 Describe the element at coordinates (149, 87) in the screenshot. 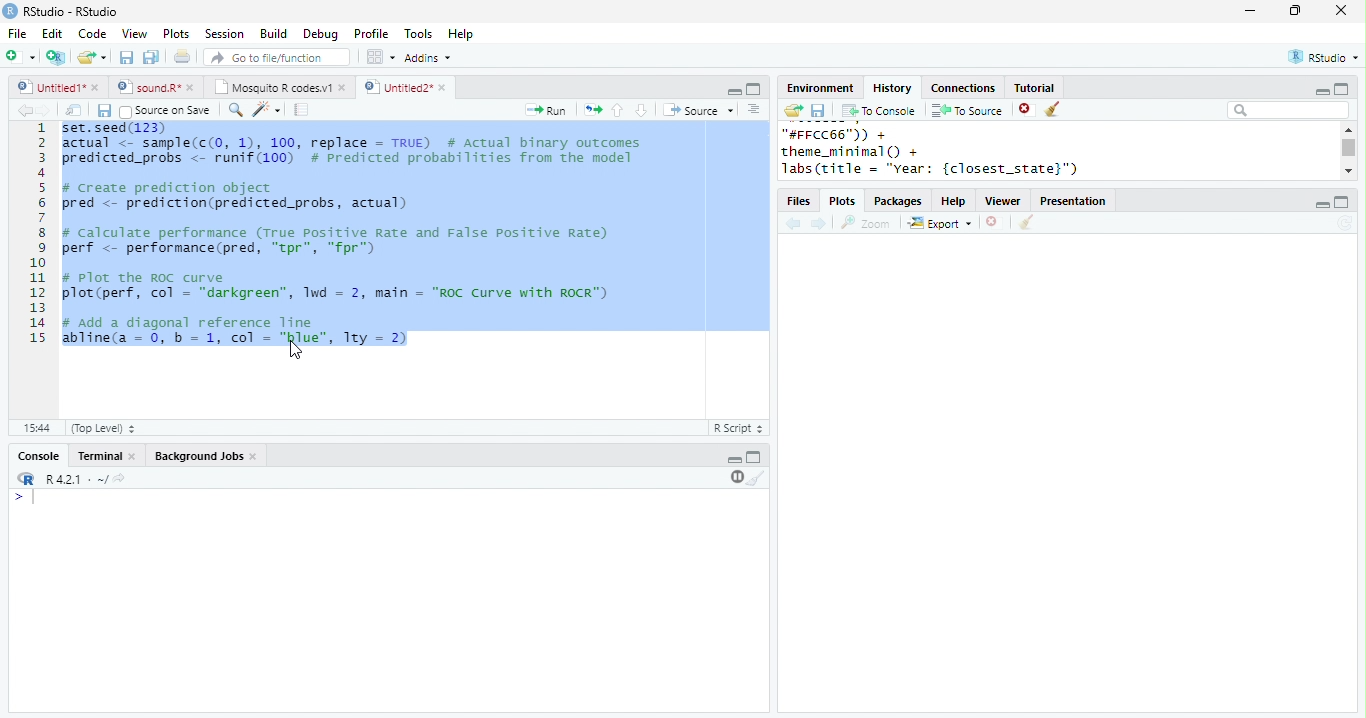

I see `sound.R` at that location.